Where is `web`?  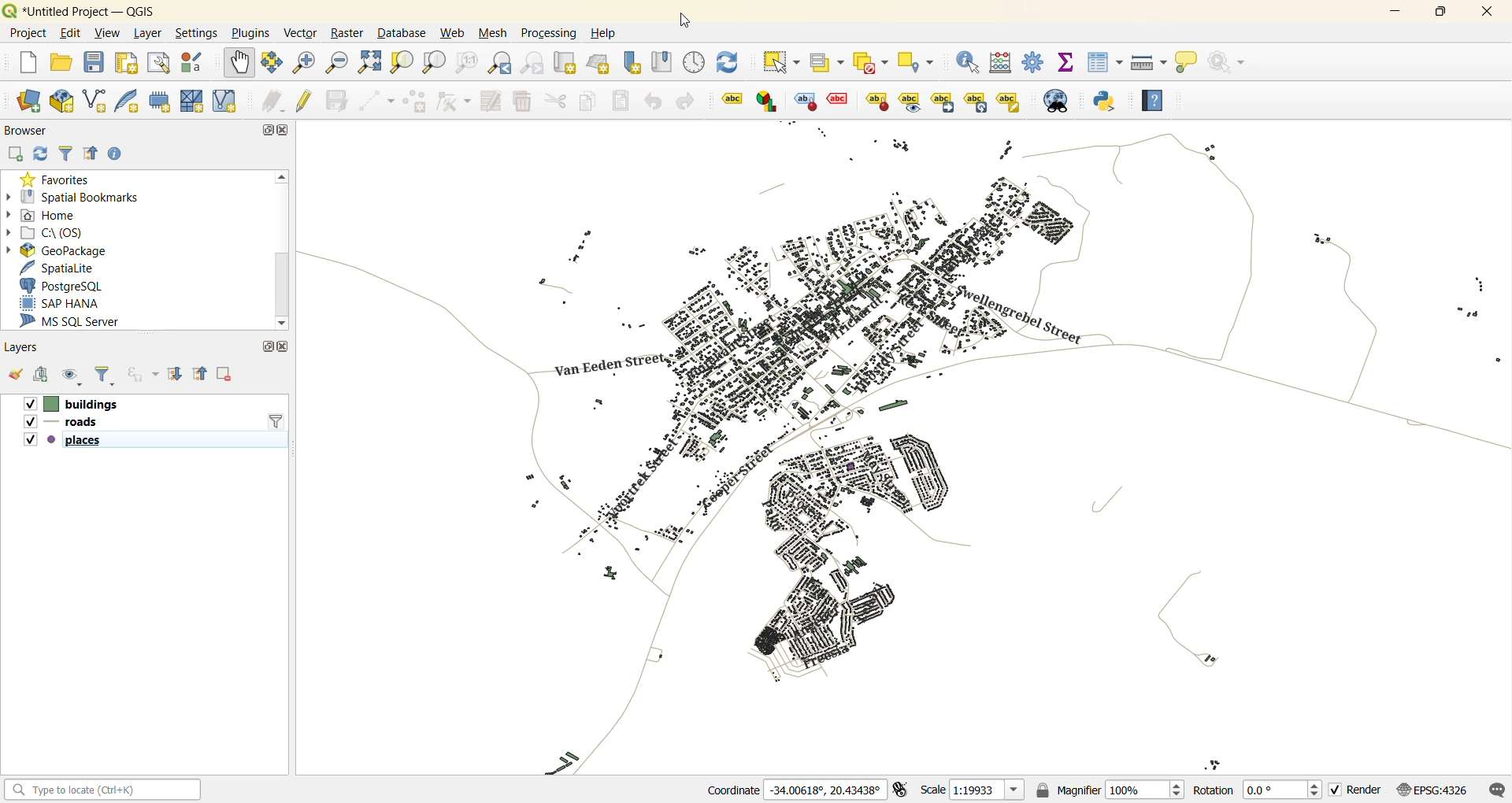
web is located at coordinates (454, 33).